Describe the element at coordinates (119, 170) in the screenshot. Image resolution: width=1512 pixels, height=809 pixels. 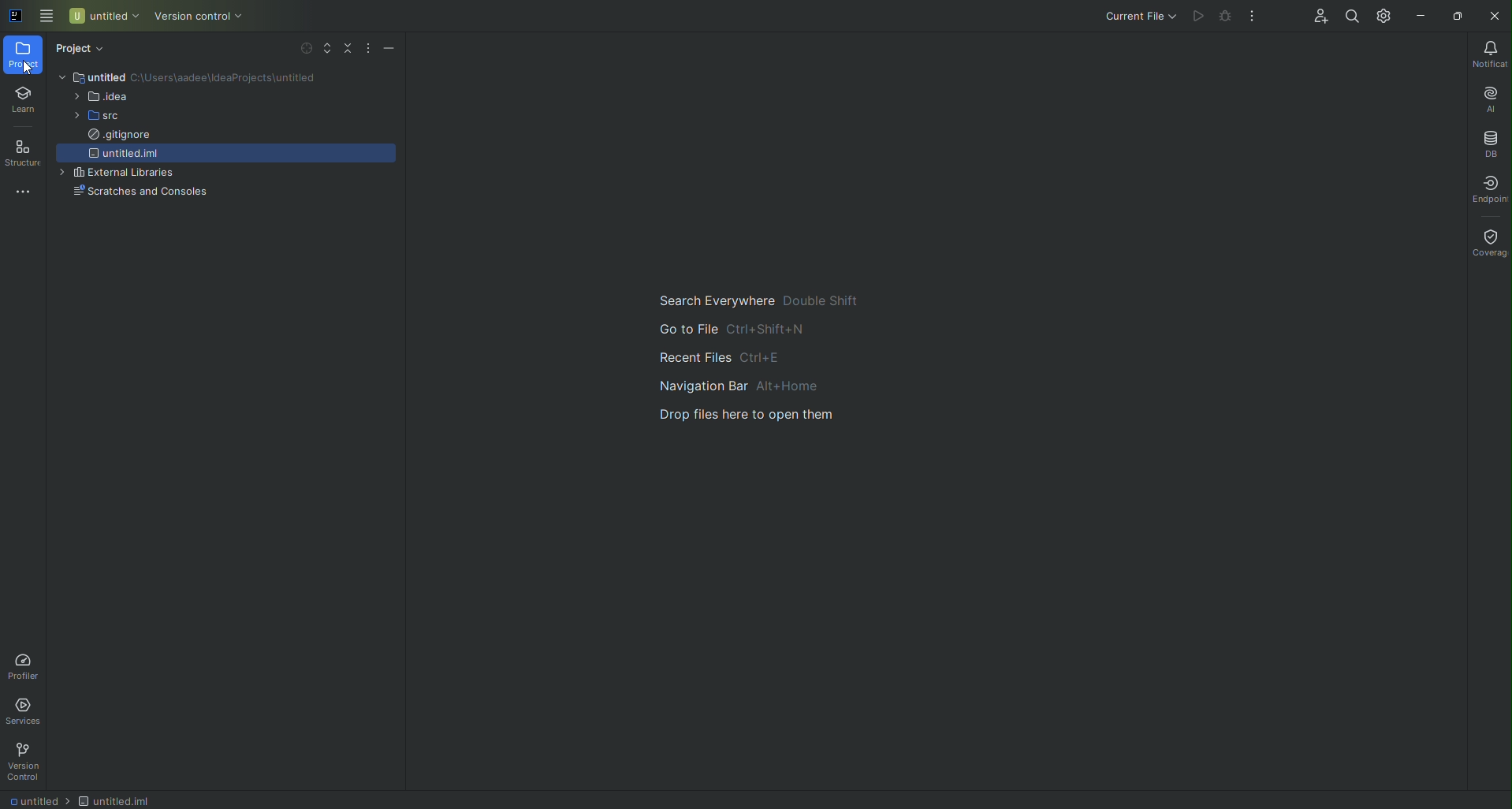
I see `External Libraries` at that location.